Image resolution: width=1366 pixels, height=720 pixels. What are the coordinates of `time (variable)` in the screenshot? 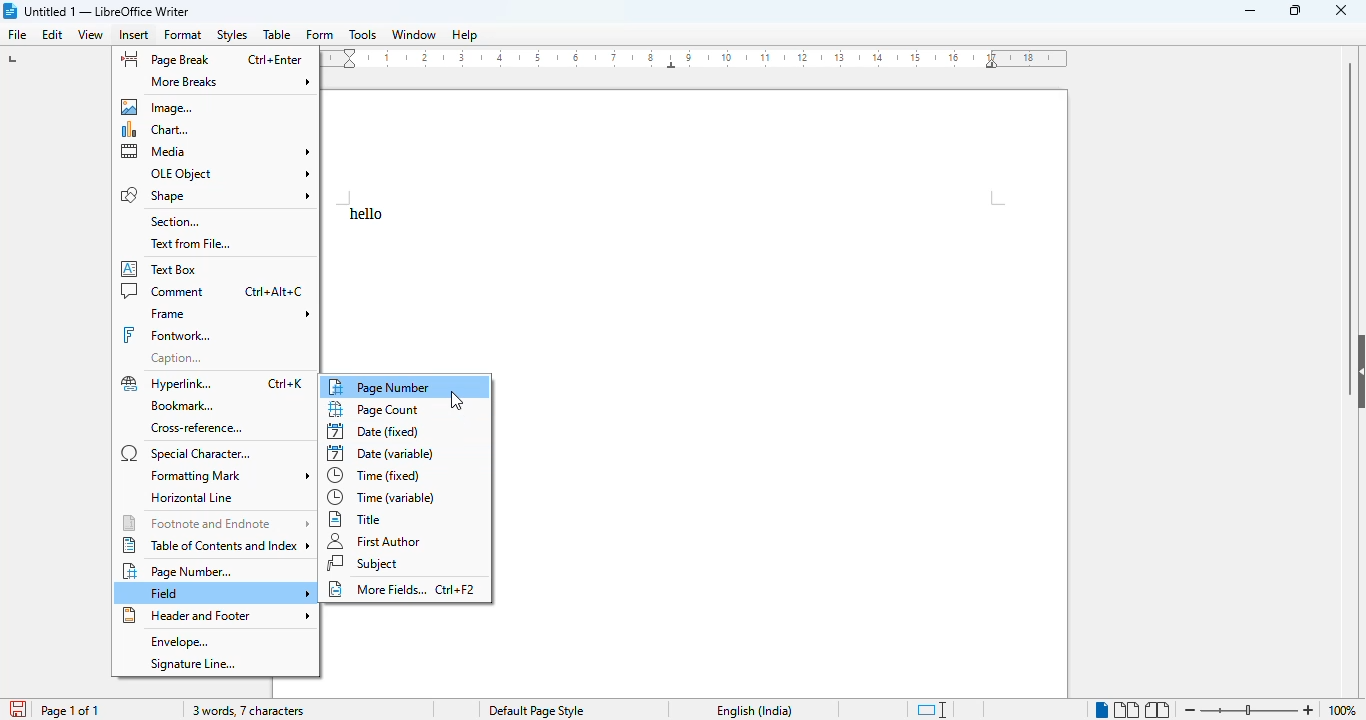 It's located at (383, 497).